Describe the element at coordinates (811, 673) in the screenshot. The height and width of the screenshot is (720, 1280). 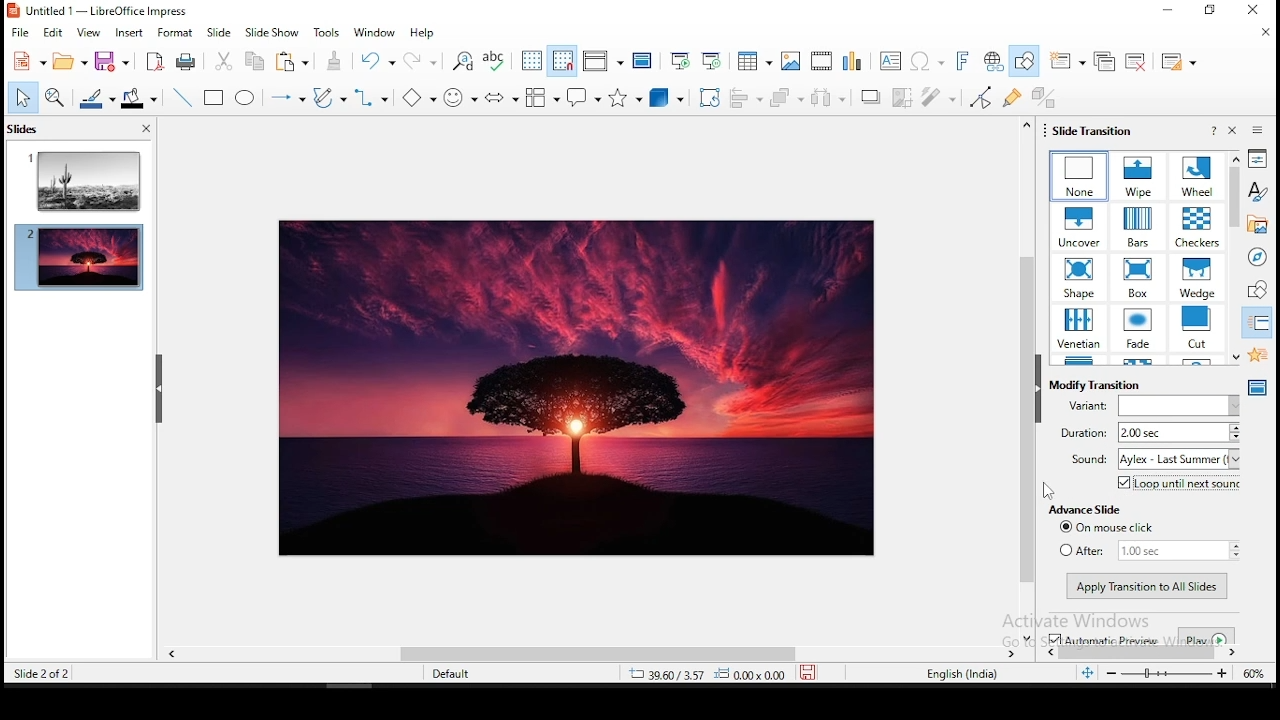
I see `save` at that location.